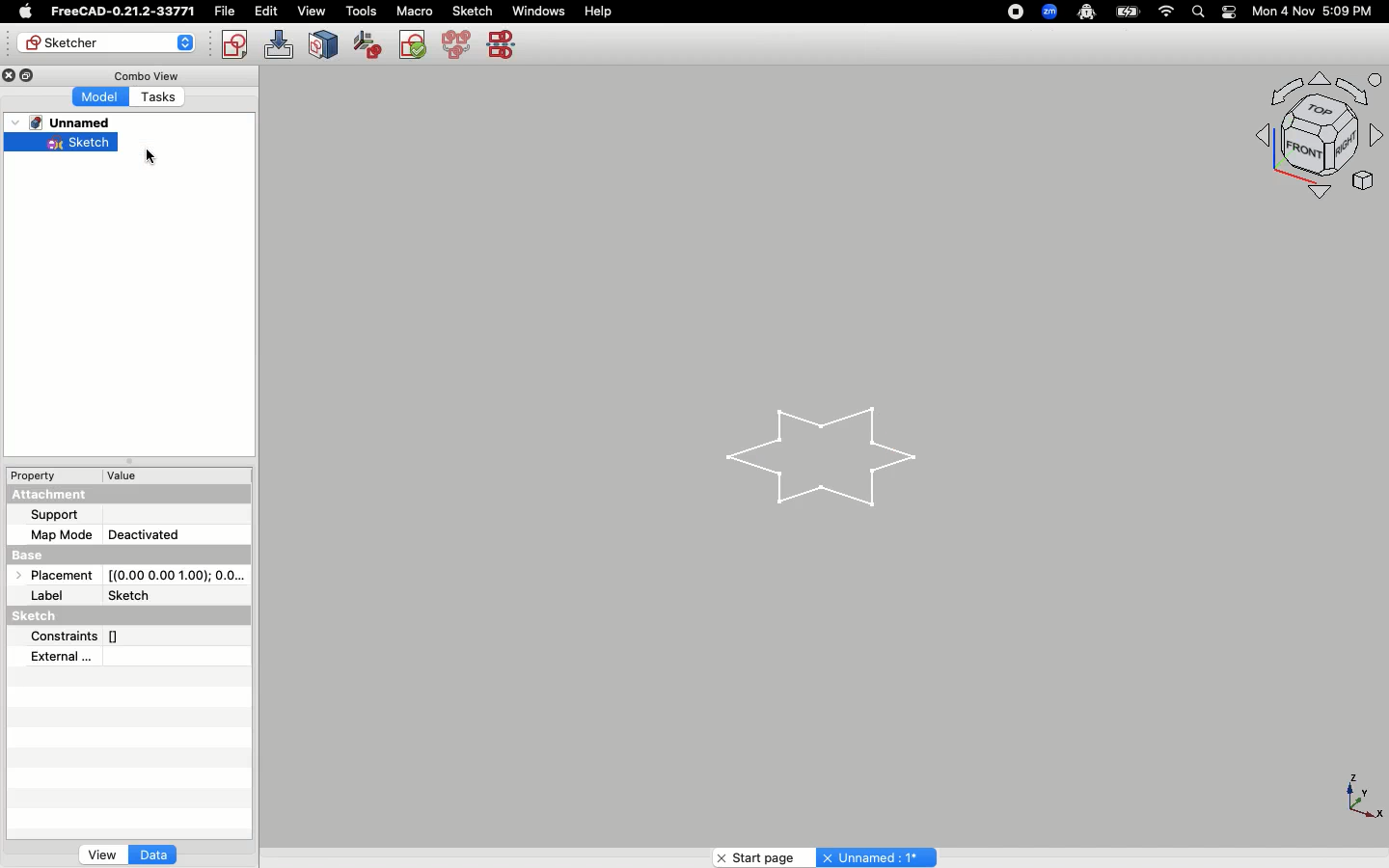  Describe the element at coordinates (366, 46) in the screenshot. I see `Validate sketch` at that location.